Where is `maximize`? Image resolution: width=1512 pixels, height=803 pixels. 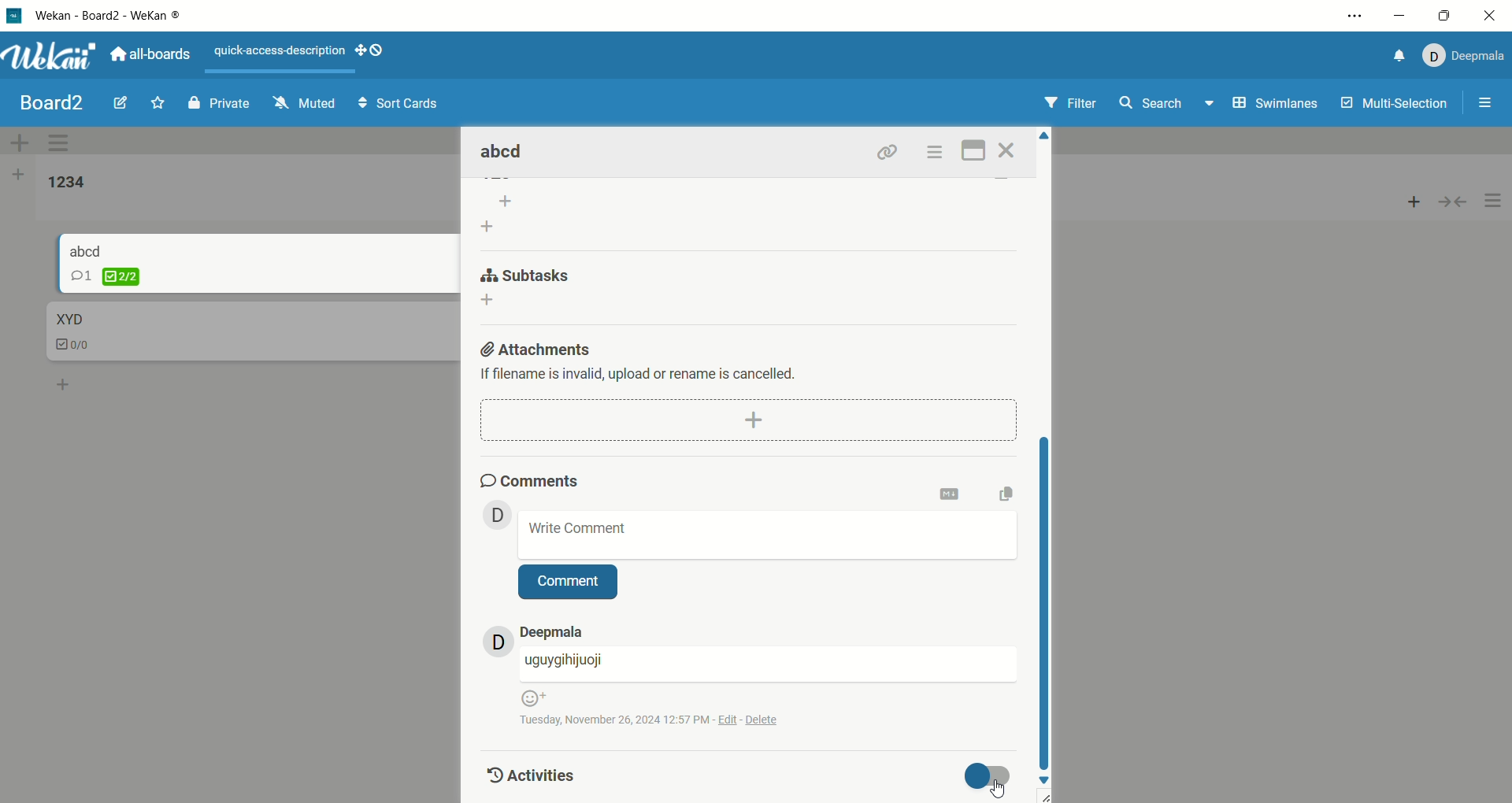 maximize is located at coordinates (1444, 17).